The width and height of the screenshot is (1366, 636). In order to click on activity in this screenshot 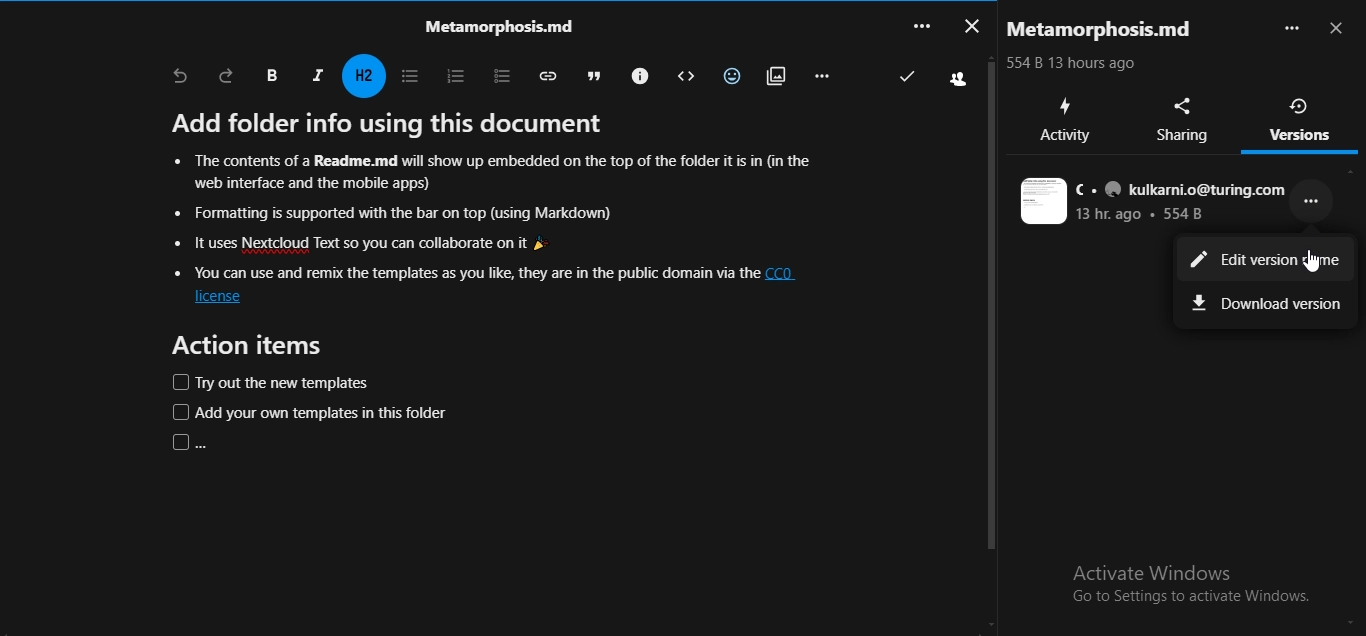, I will do `click(1065, 120)`.